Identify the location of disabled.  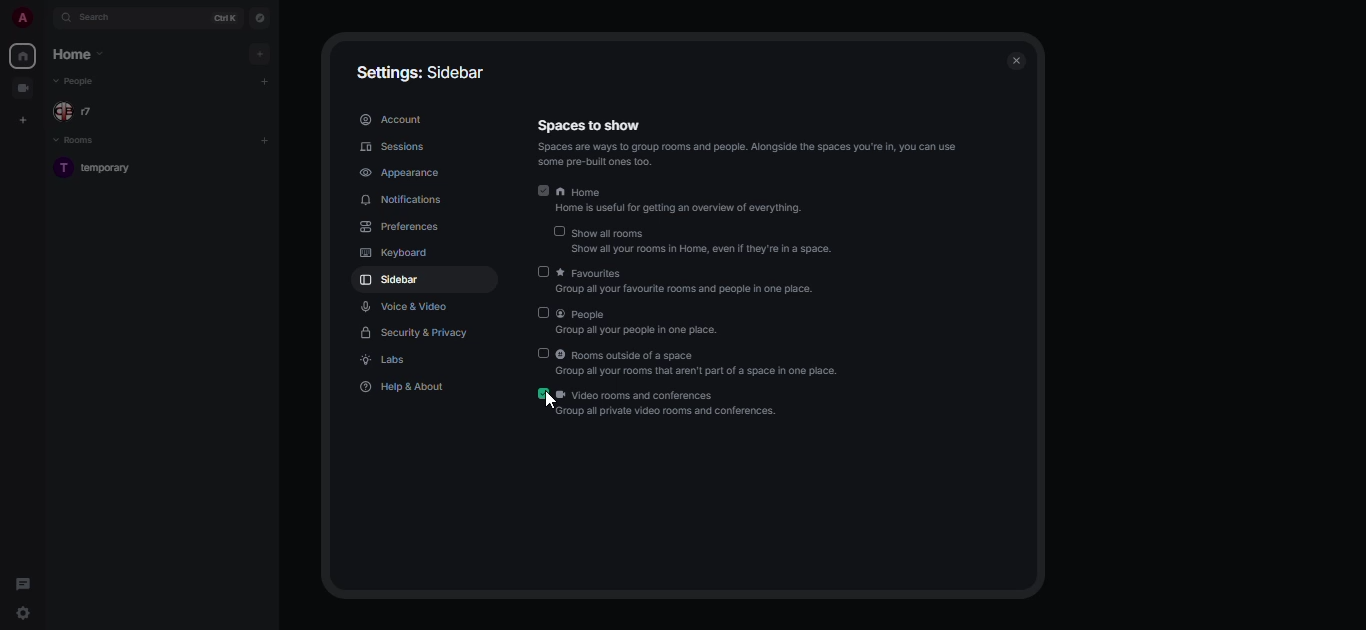
(540, 271).